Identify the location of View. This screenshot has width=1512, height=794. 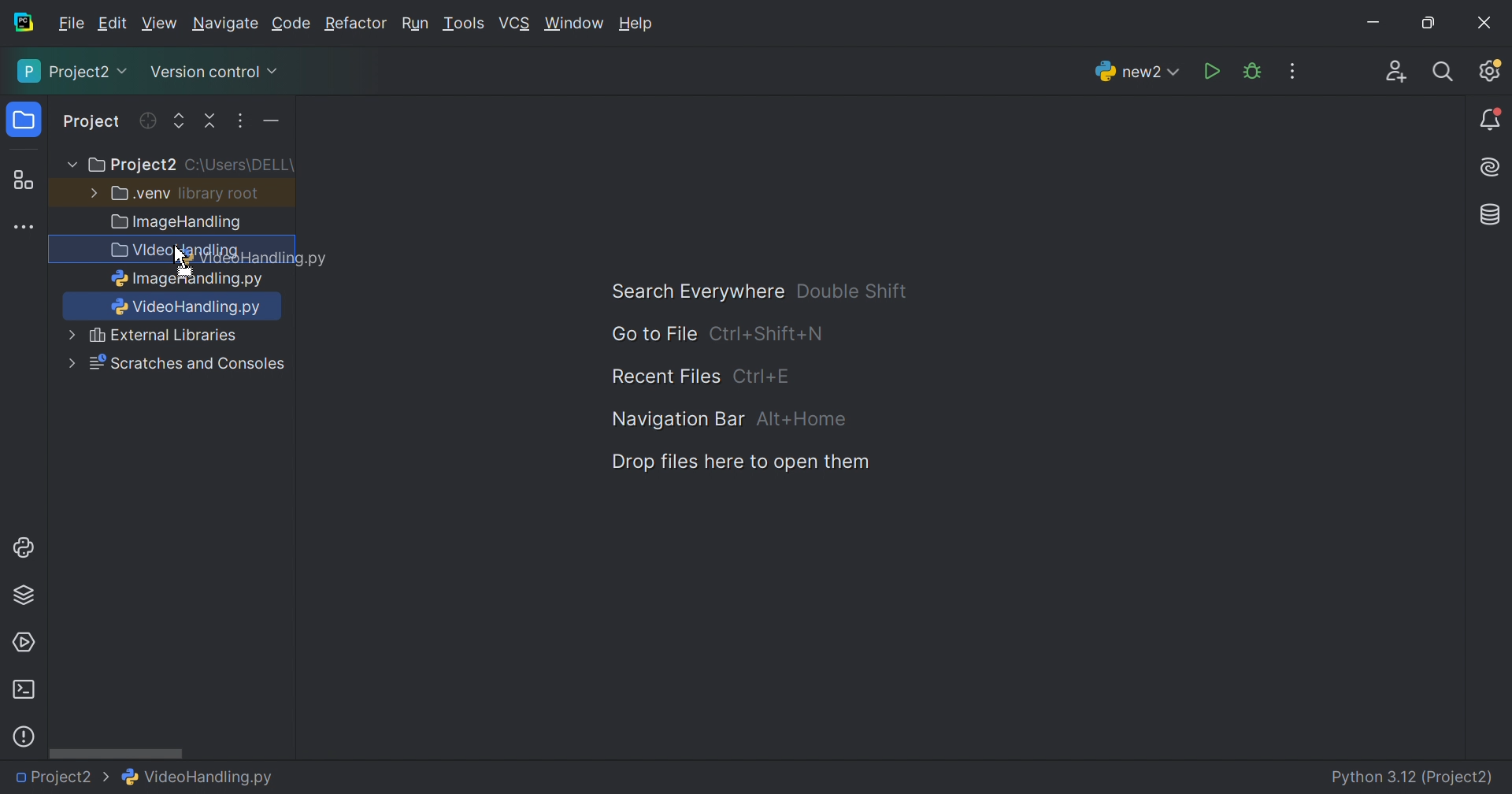
(161, 24).